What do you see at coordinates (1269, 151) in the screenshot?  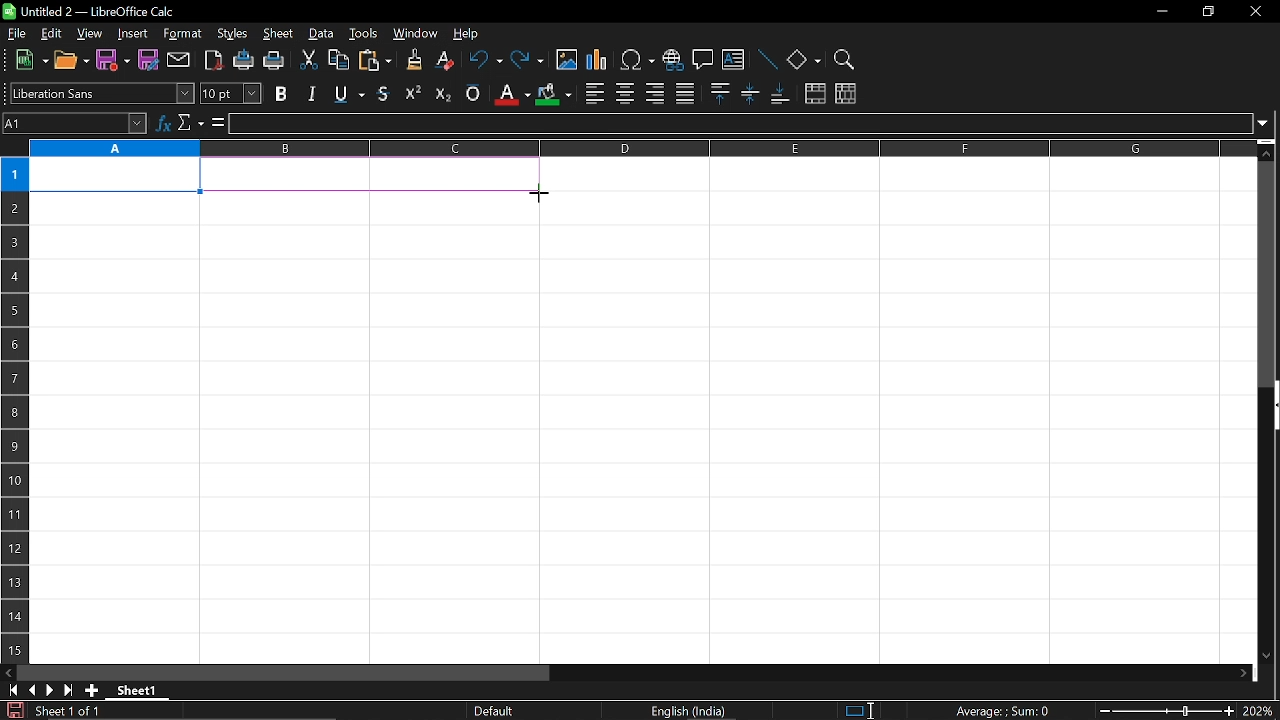 I see `move up` at bounding box center [1269, 151].